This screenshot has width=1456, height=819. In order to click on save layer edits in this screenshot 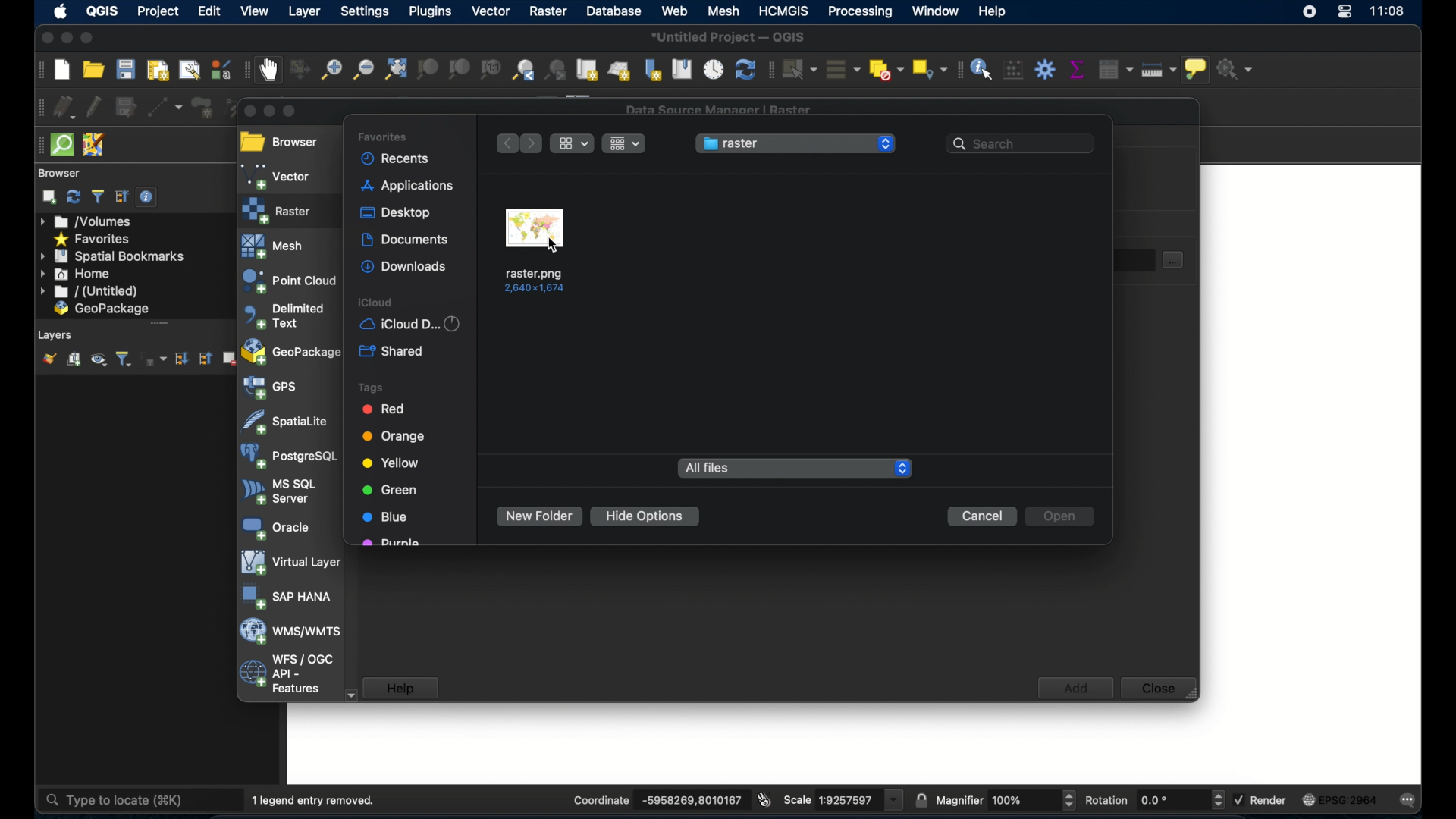, I will do `click(125, 105)`.